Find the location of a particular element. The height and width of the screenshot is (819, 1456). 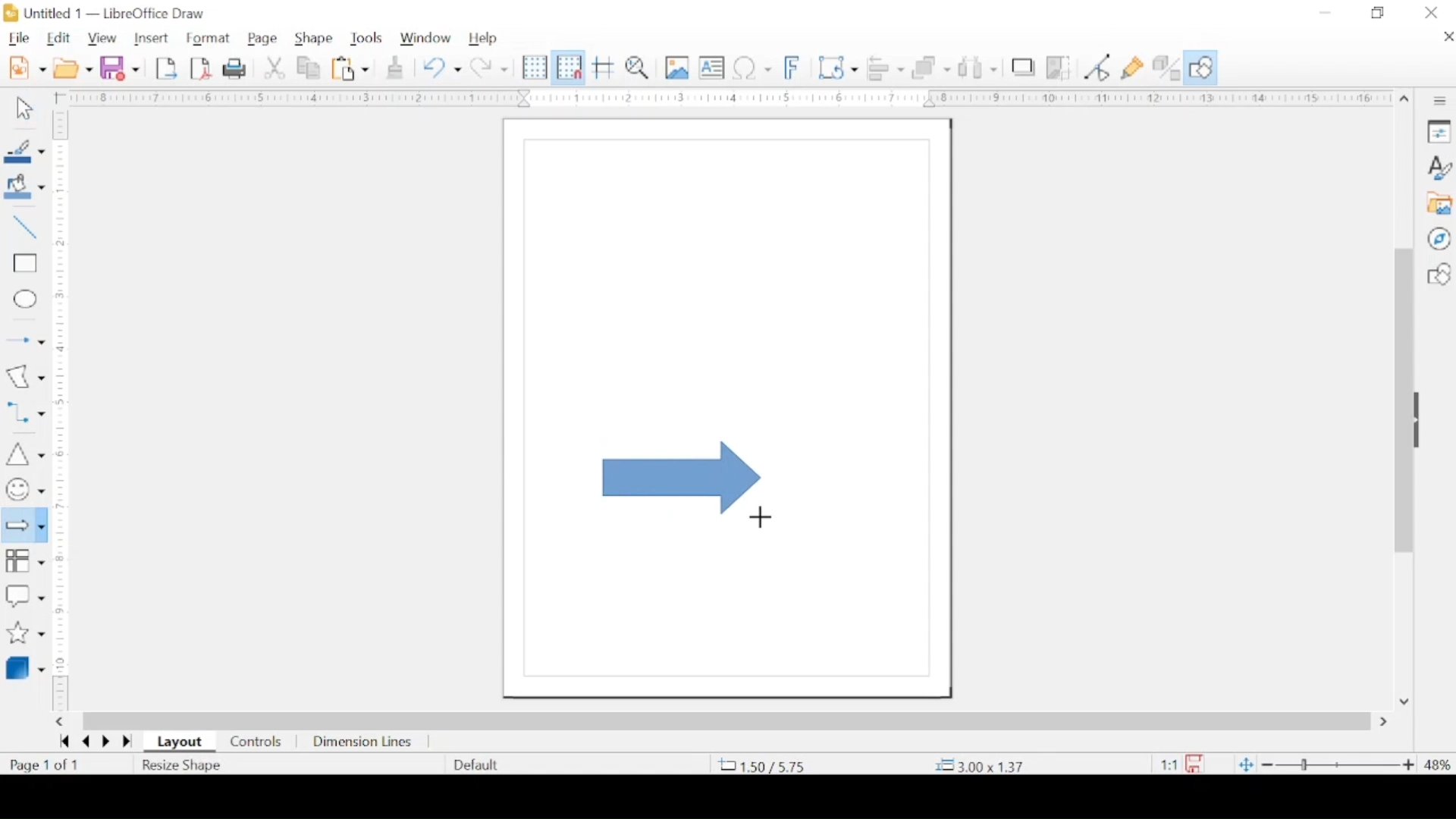

margin is located at coordinates (61, 638).